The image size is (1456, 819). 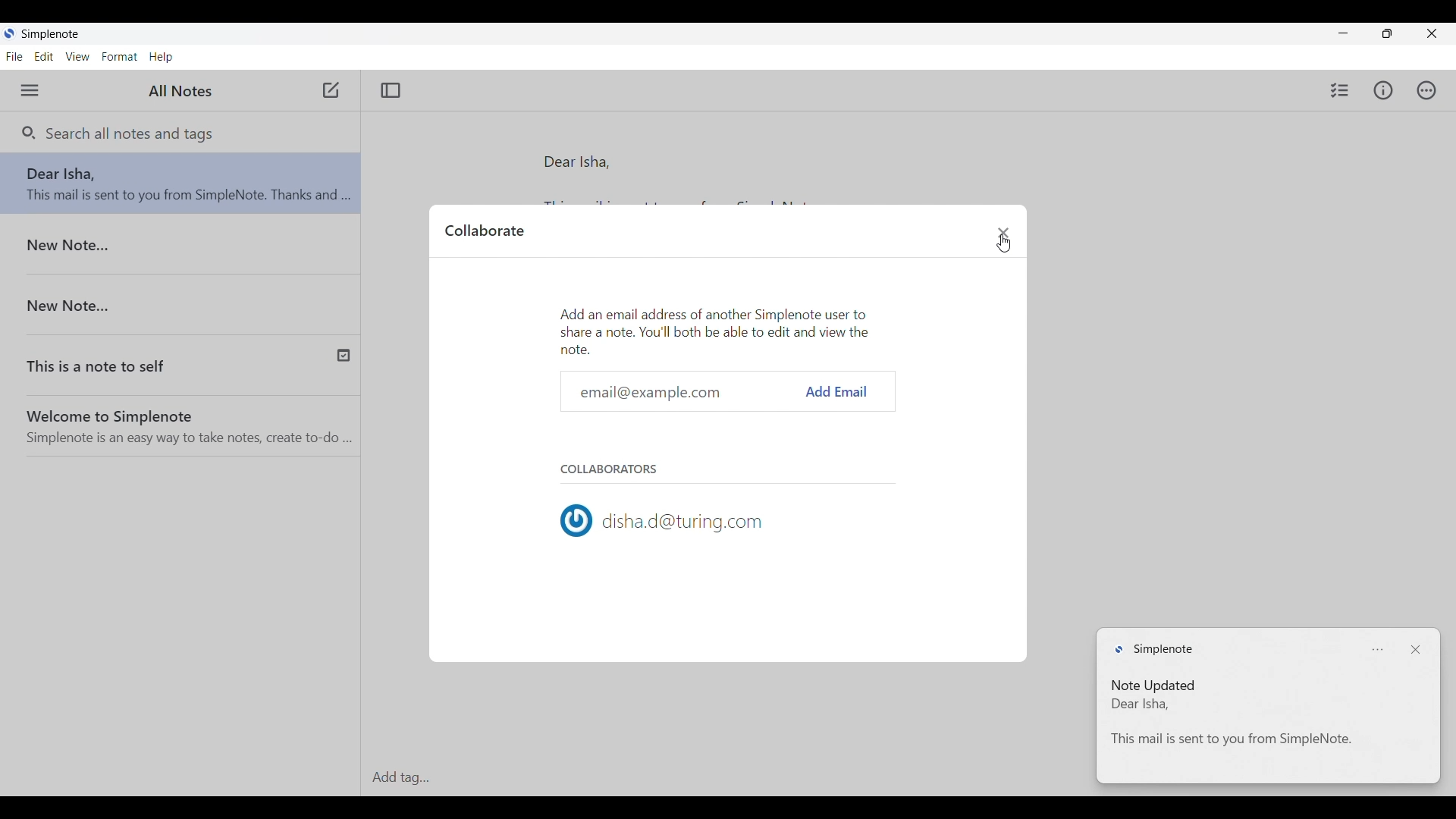 I want to click on Cursor, so click(x=1003, y=243).